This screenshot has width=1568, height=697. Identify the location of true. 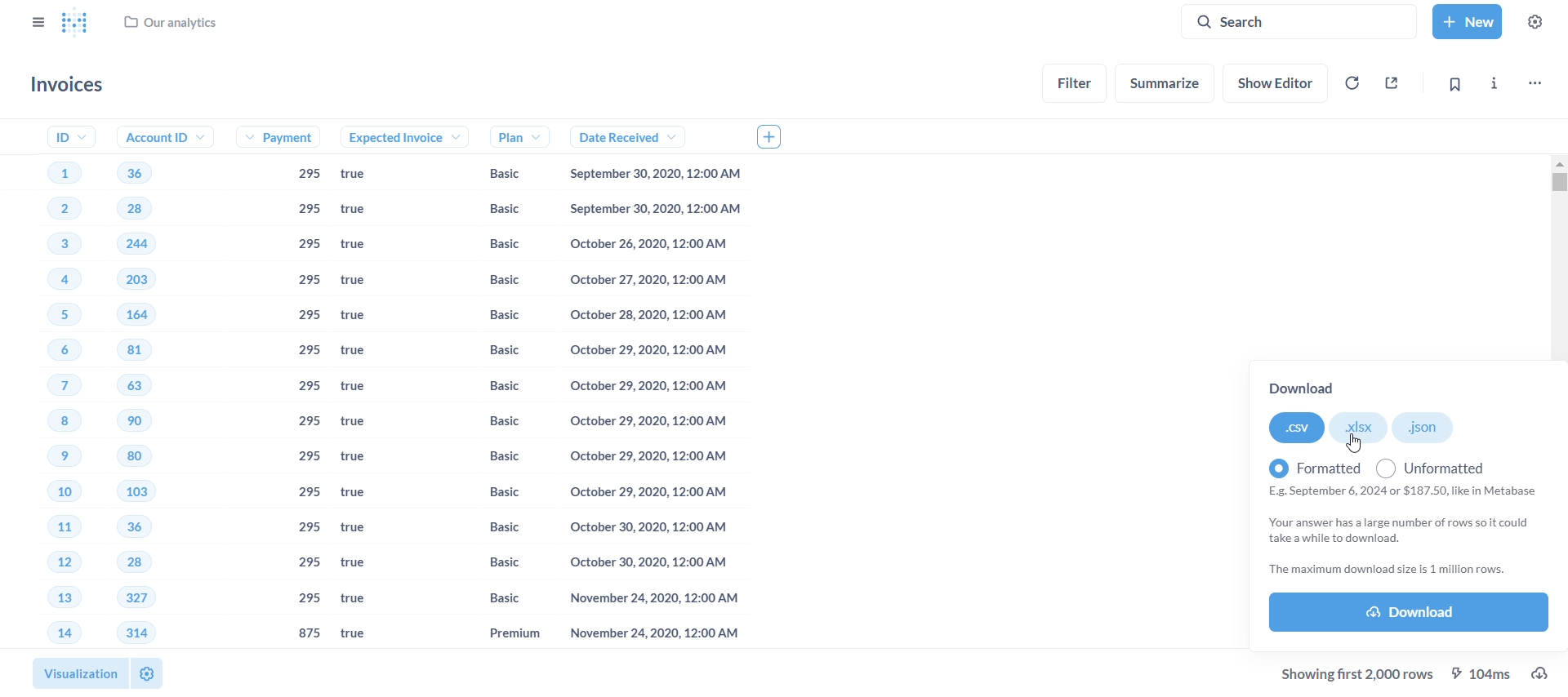
(357, 634).